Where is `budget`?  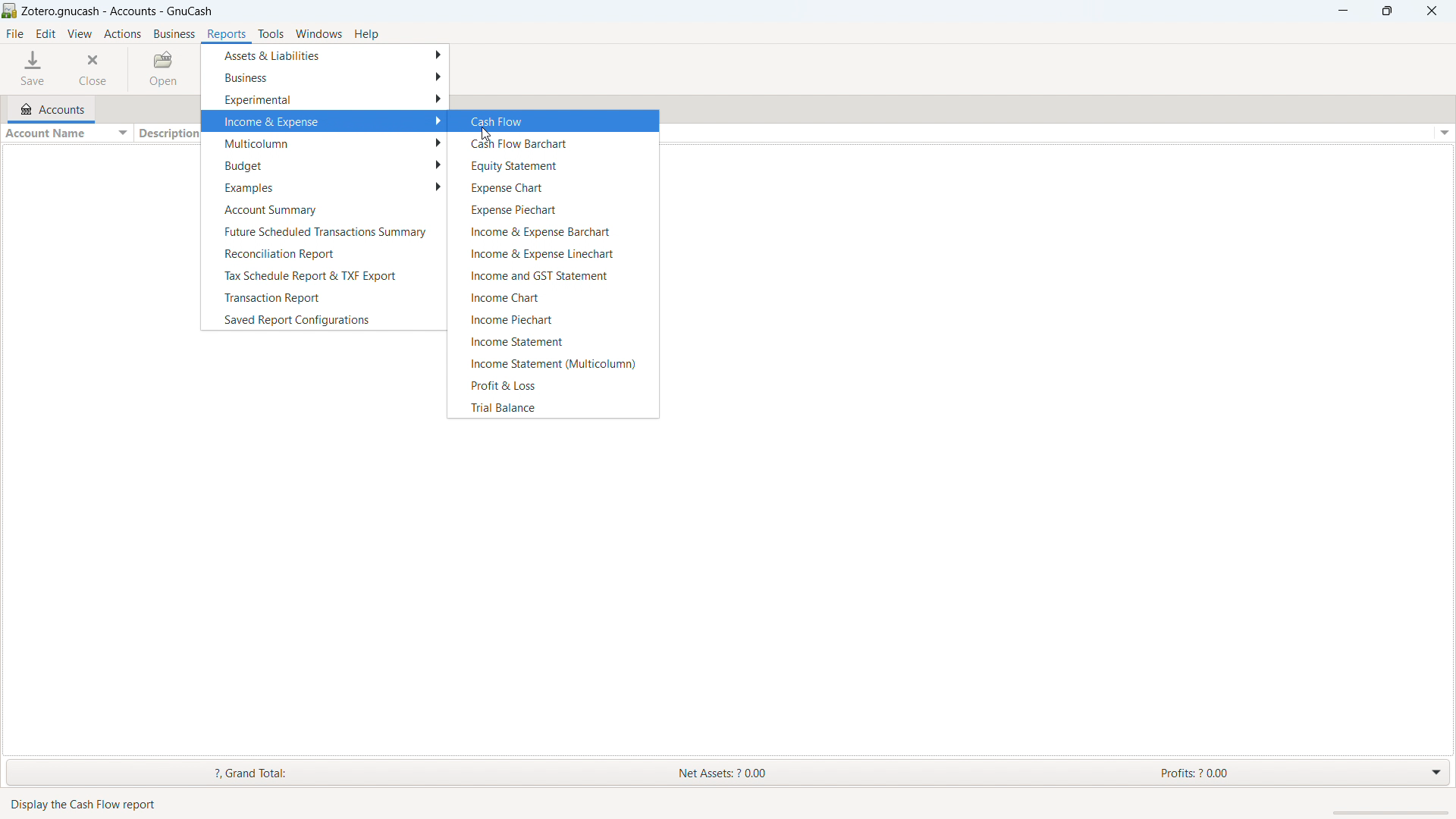 budget is located at coordinates (322, 165).